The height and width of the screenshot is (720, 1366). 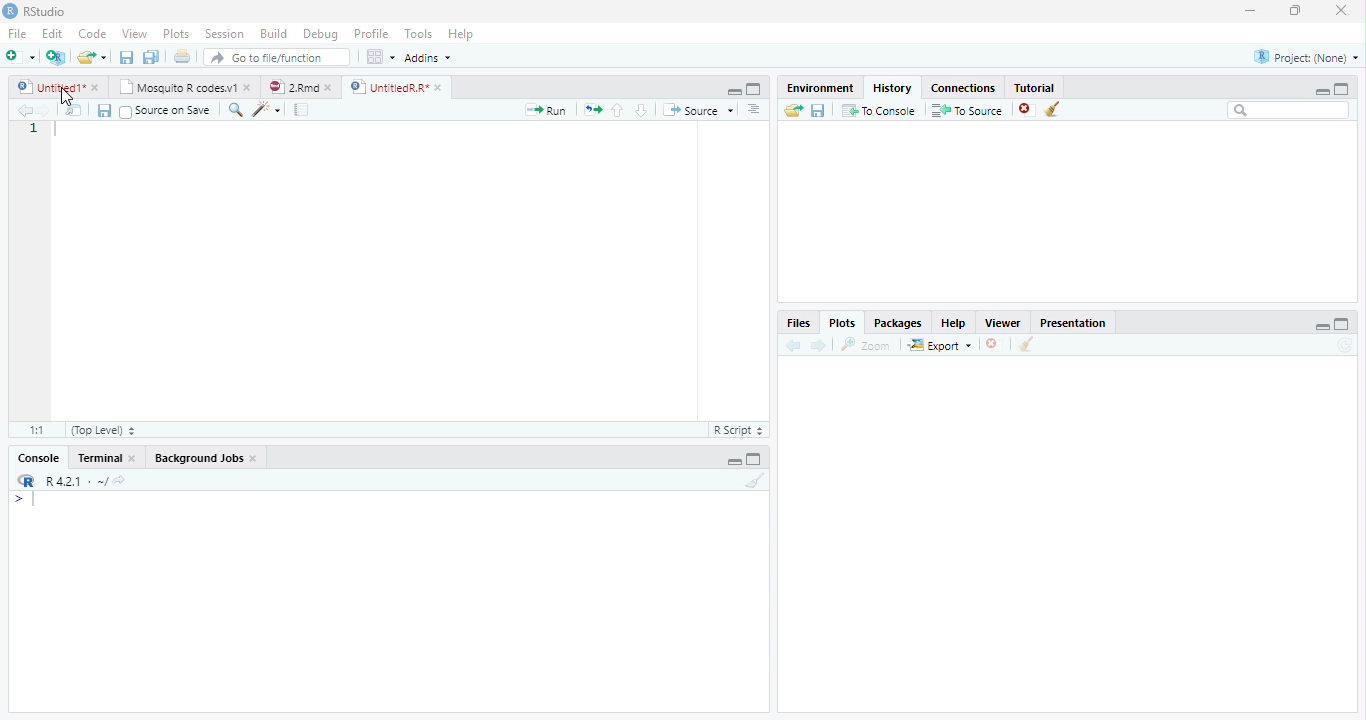 What do you see at coordinates (697, 110) in the screenshot?
I see `Source` at bounding box center [697, 110].